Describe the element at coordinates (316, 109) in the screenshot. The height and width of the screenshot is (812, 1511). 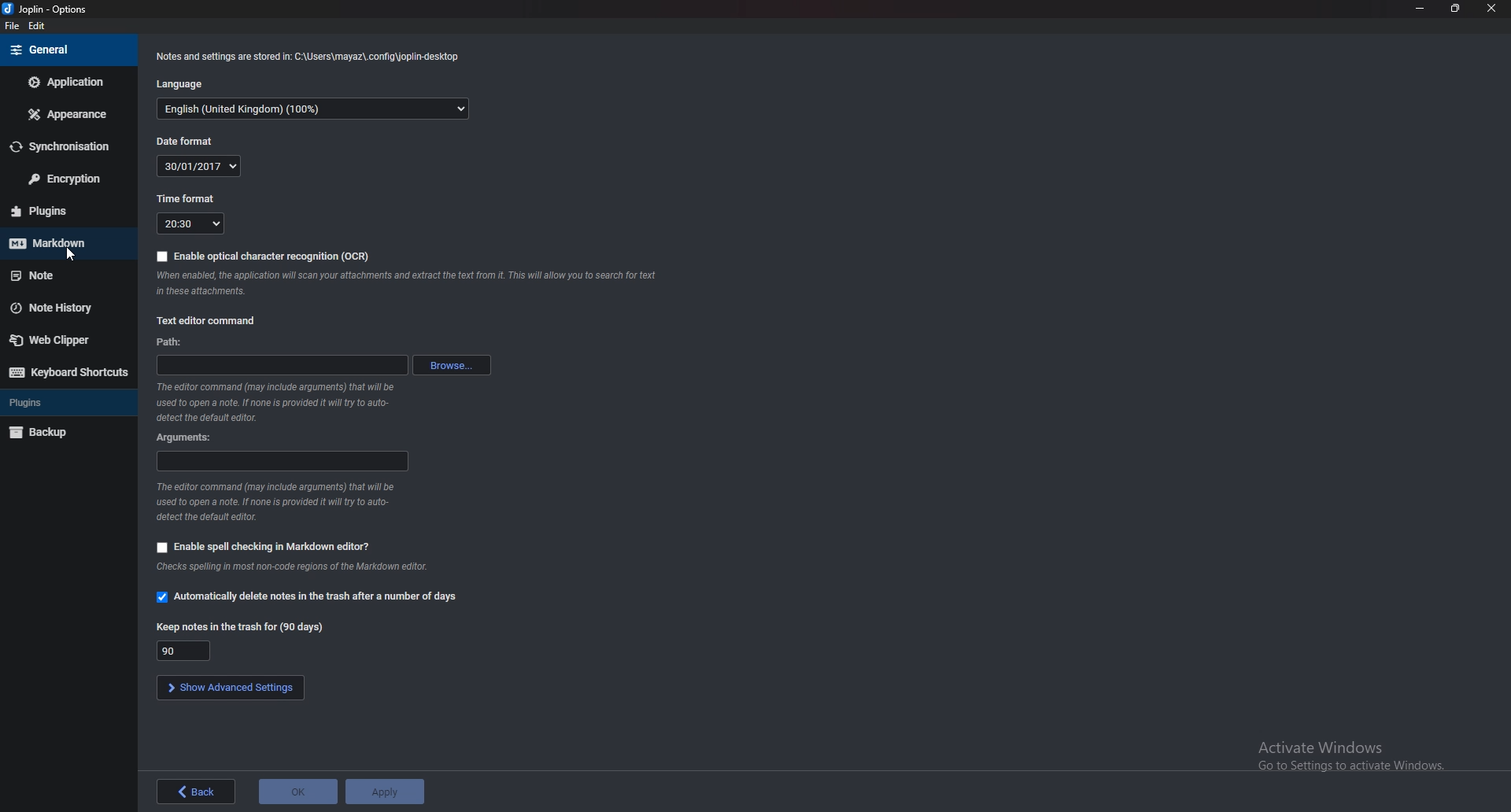
I see `info` at that location.